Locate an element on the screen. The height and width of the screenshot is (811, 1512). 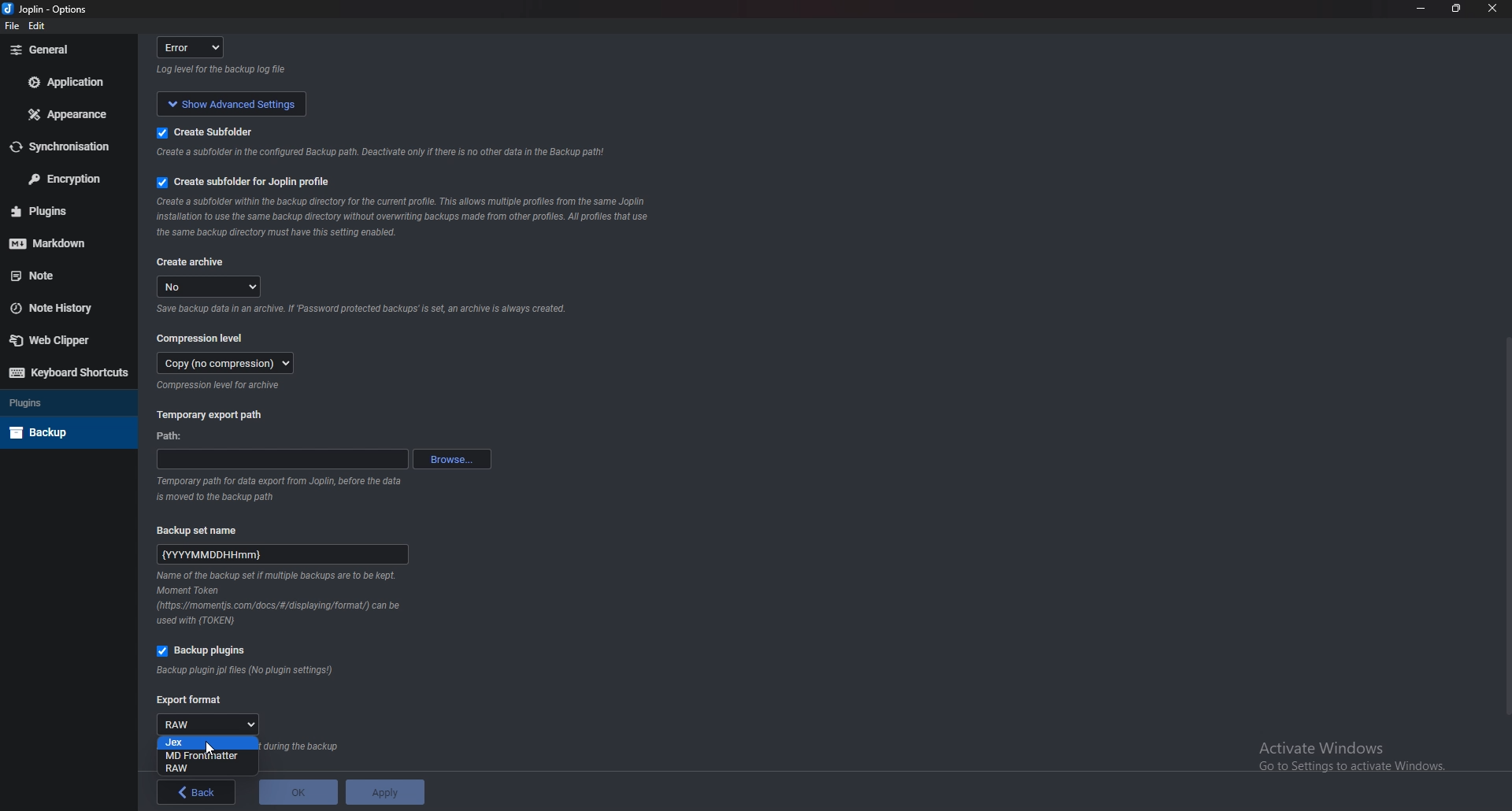
Synchronization is located at coordinates (62, 147).